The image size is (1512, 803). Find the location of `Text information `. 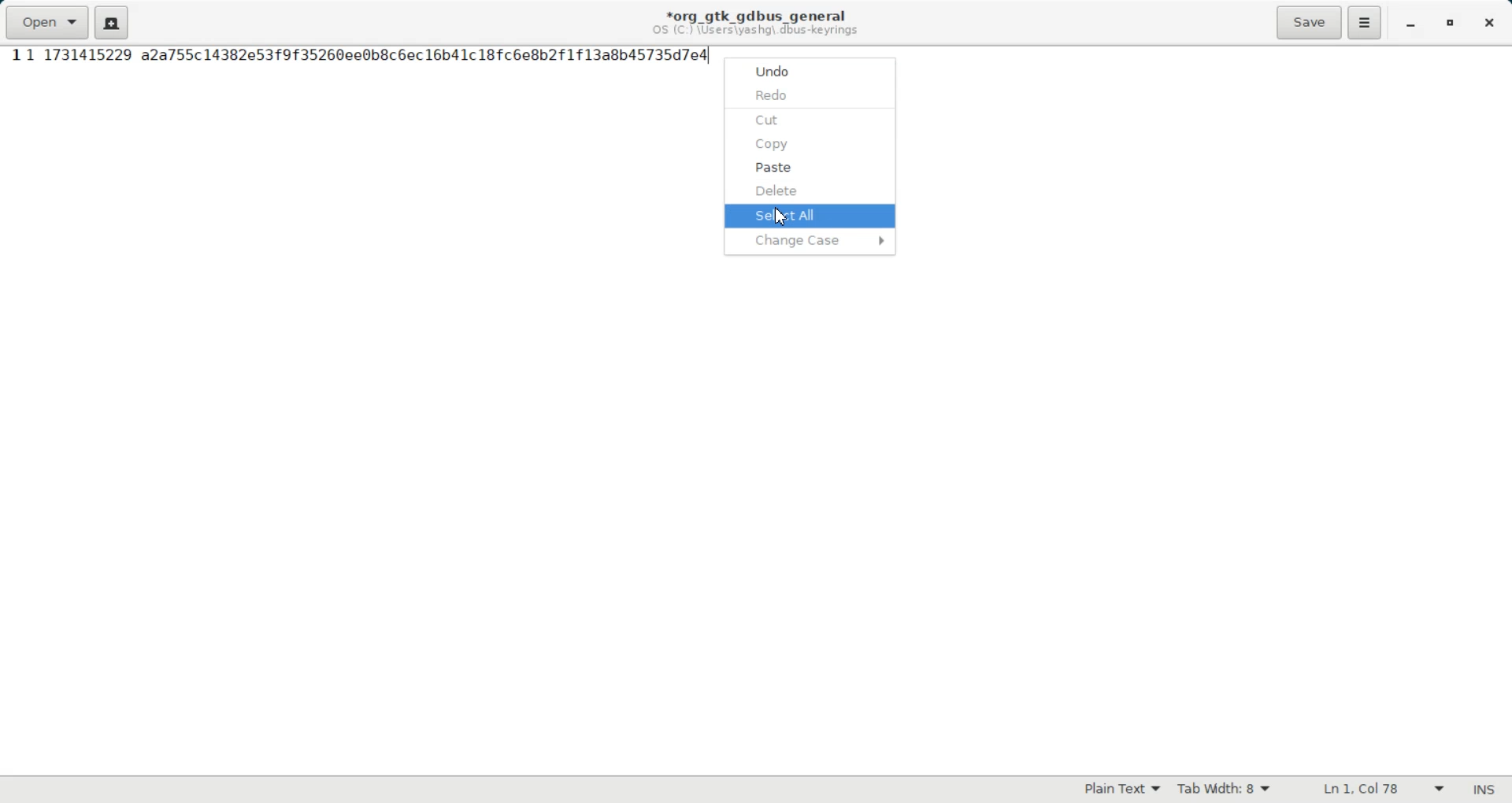

Text information  is located at coordinates (755, 22).